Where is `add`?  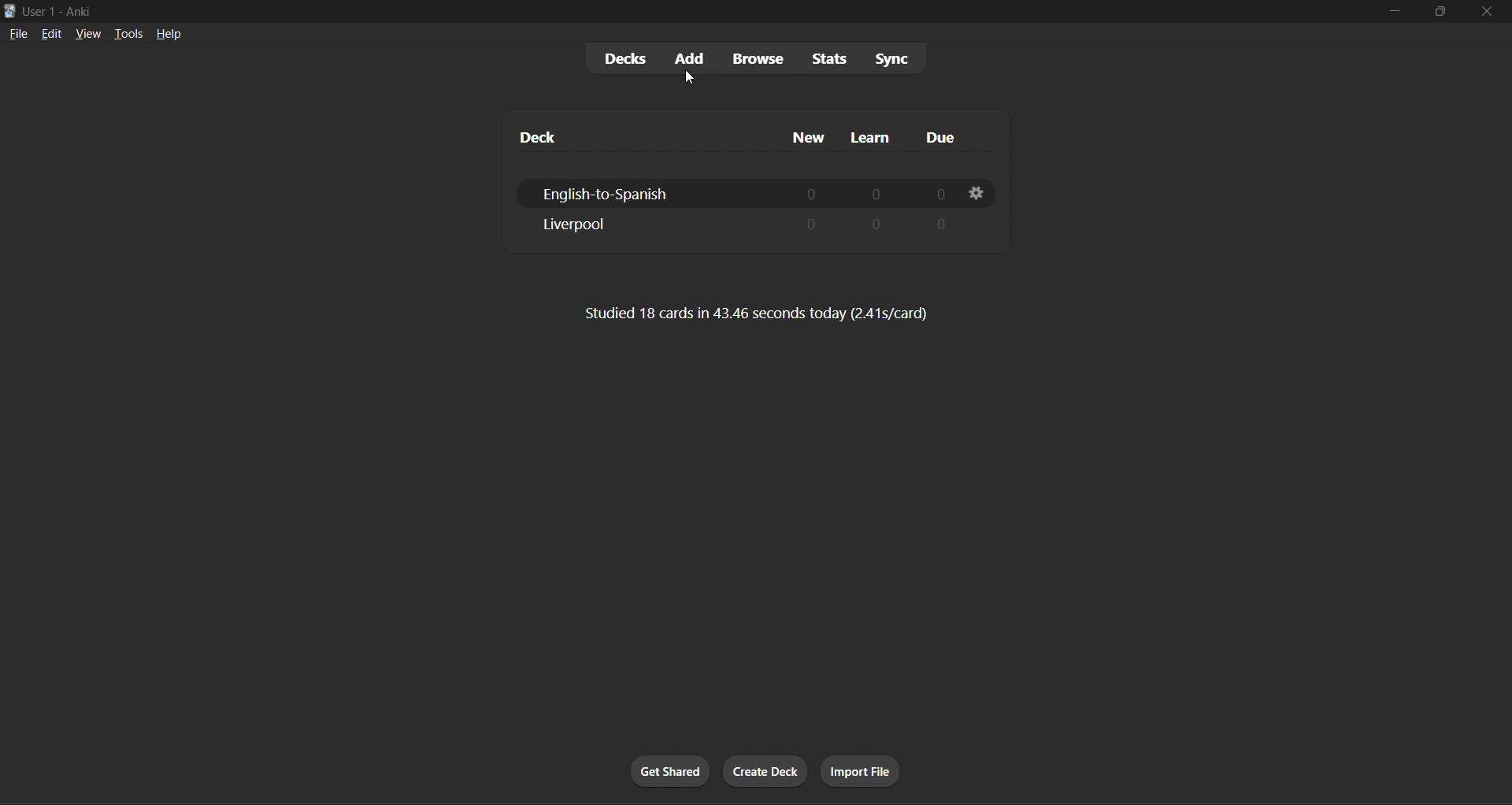 add is located at coordinates (690, 57).